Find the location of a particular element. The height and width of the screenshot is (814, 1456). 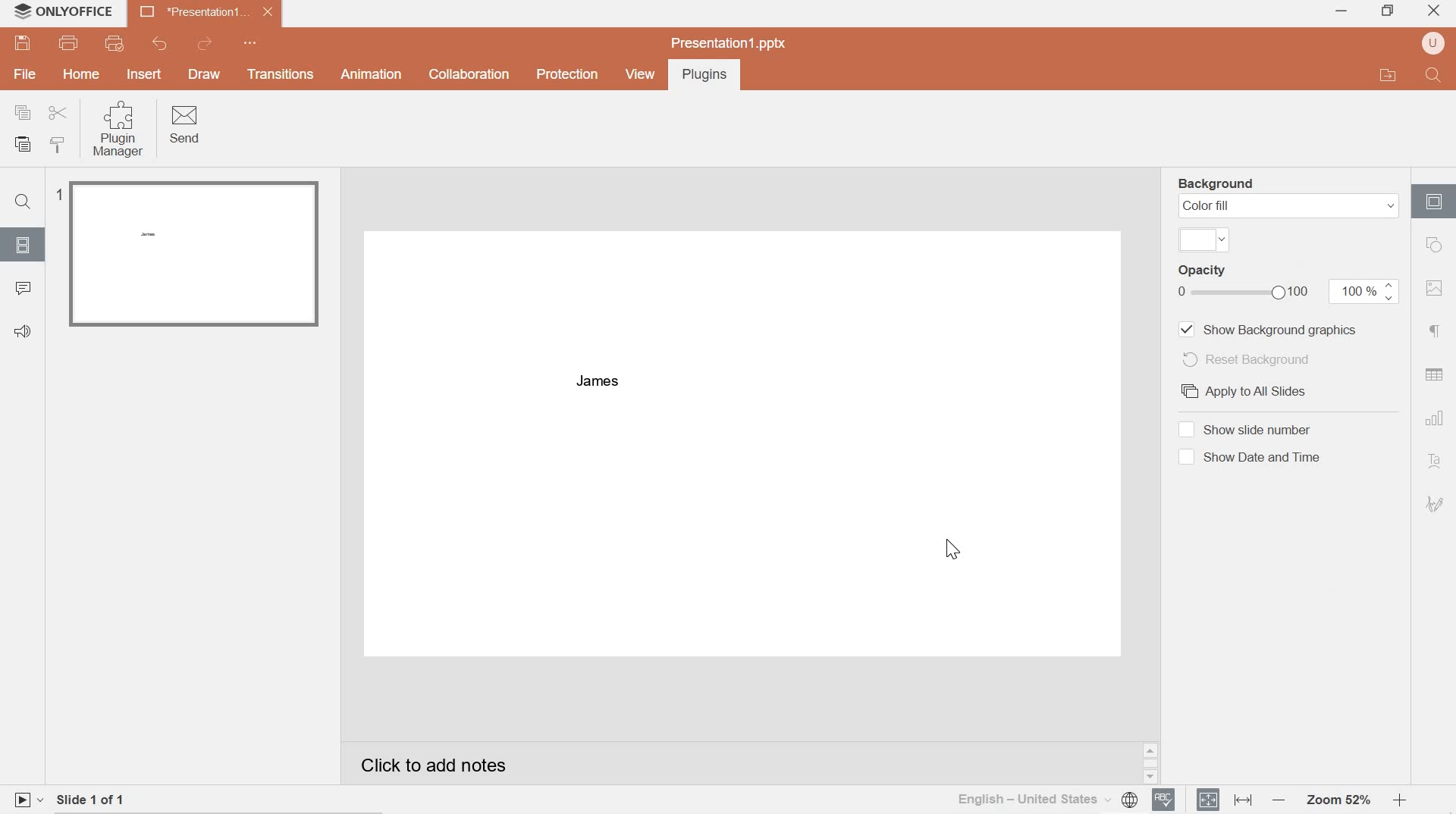

play slide is located at coordinates (27, 799).